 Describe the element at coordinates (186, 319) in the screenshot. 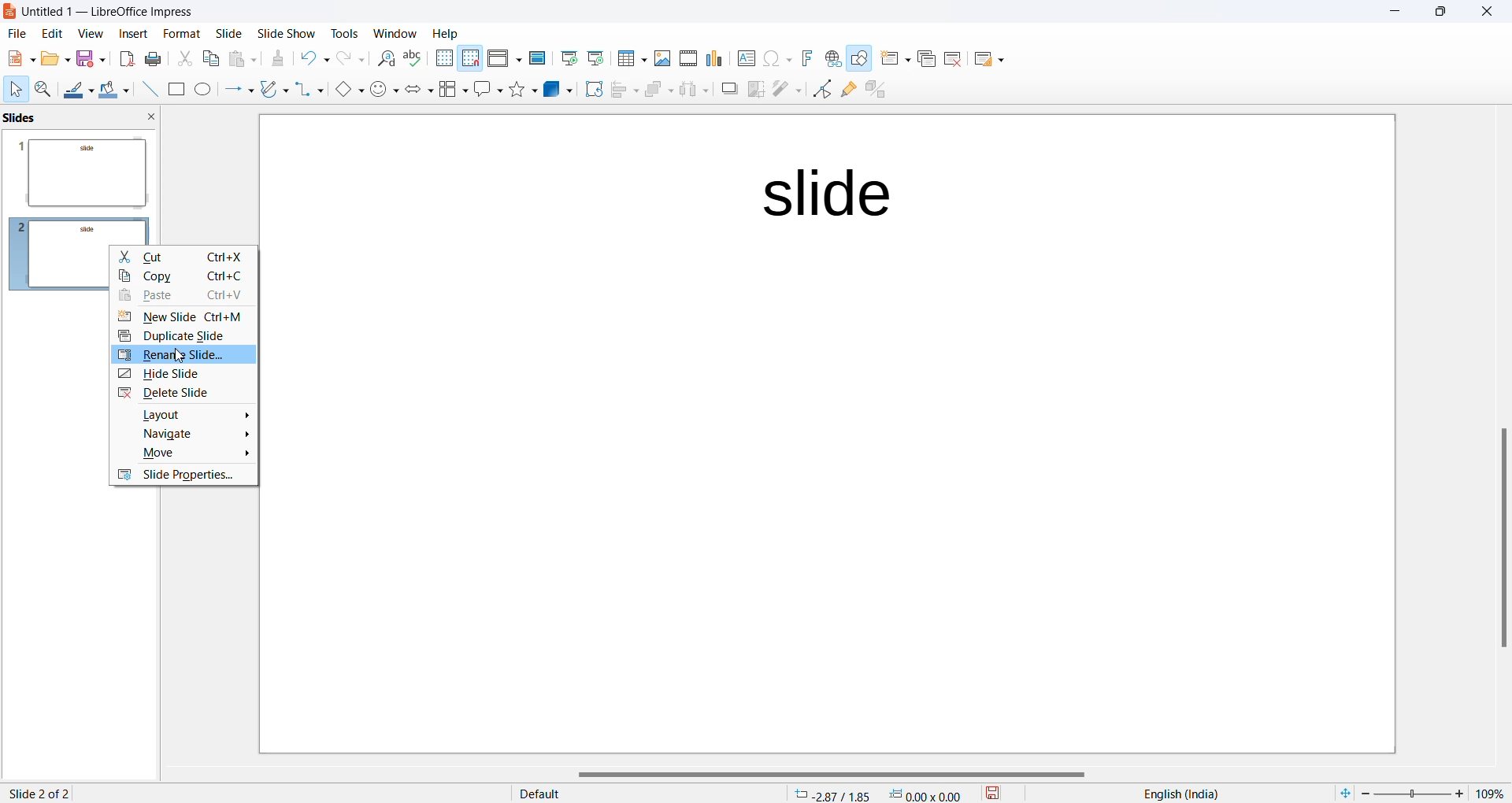

I see `new slide` at that location.